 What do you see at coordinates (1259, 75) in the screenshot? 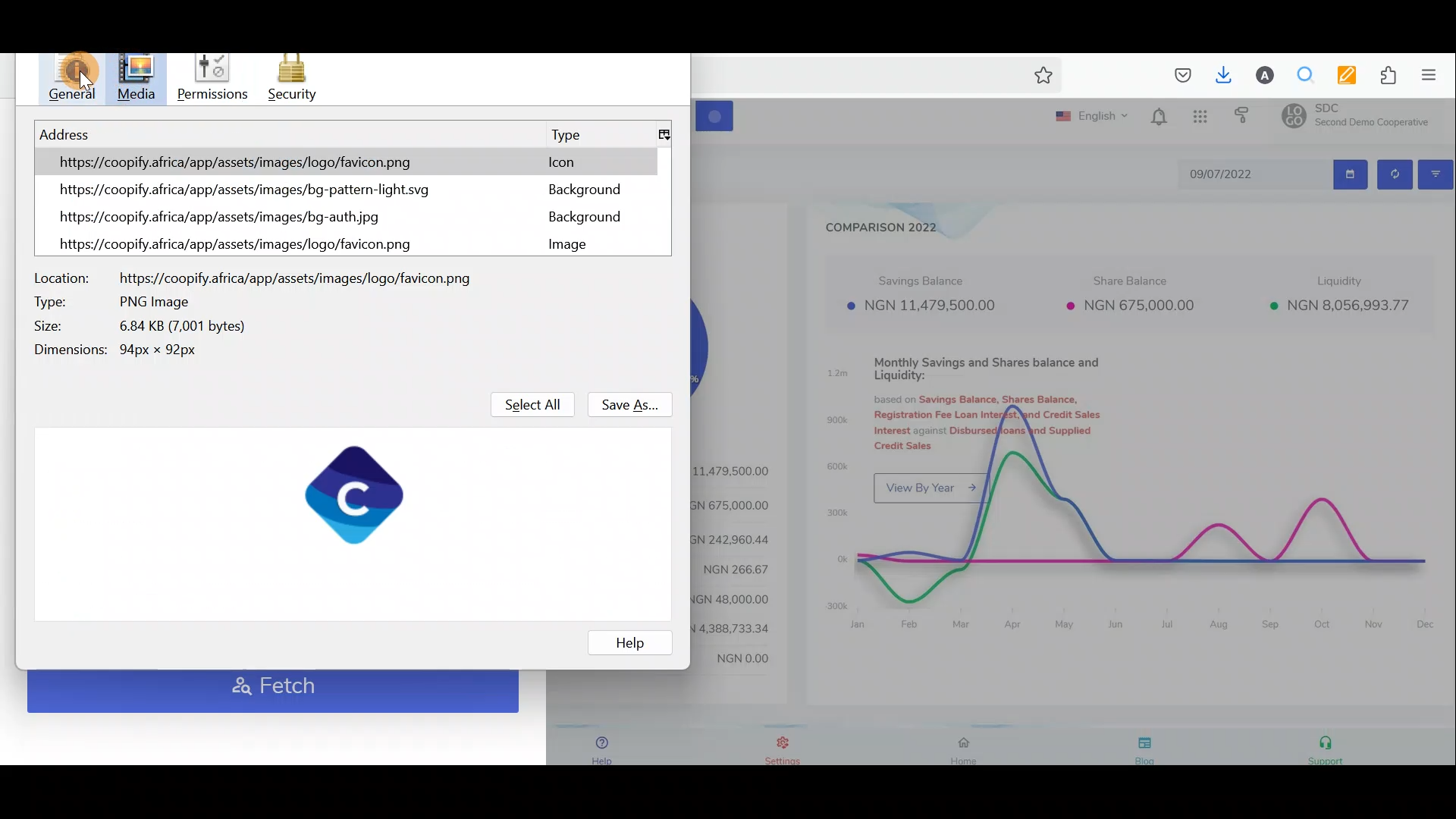
I see `Account` at bounding box center [1259, 75].